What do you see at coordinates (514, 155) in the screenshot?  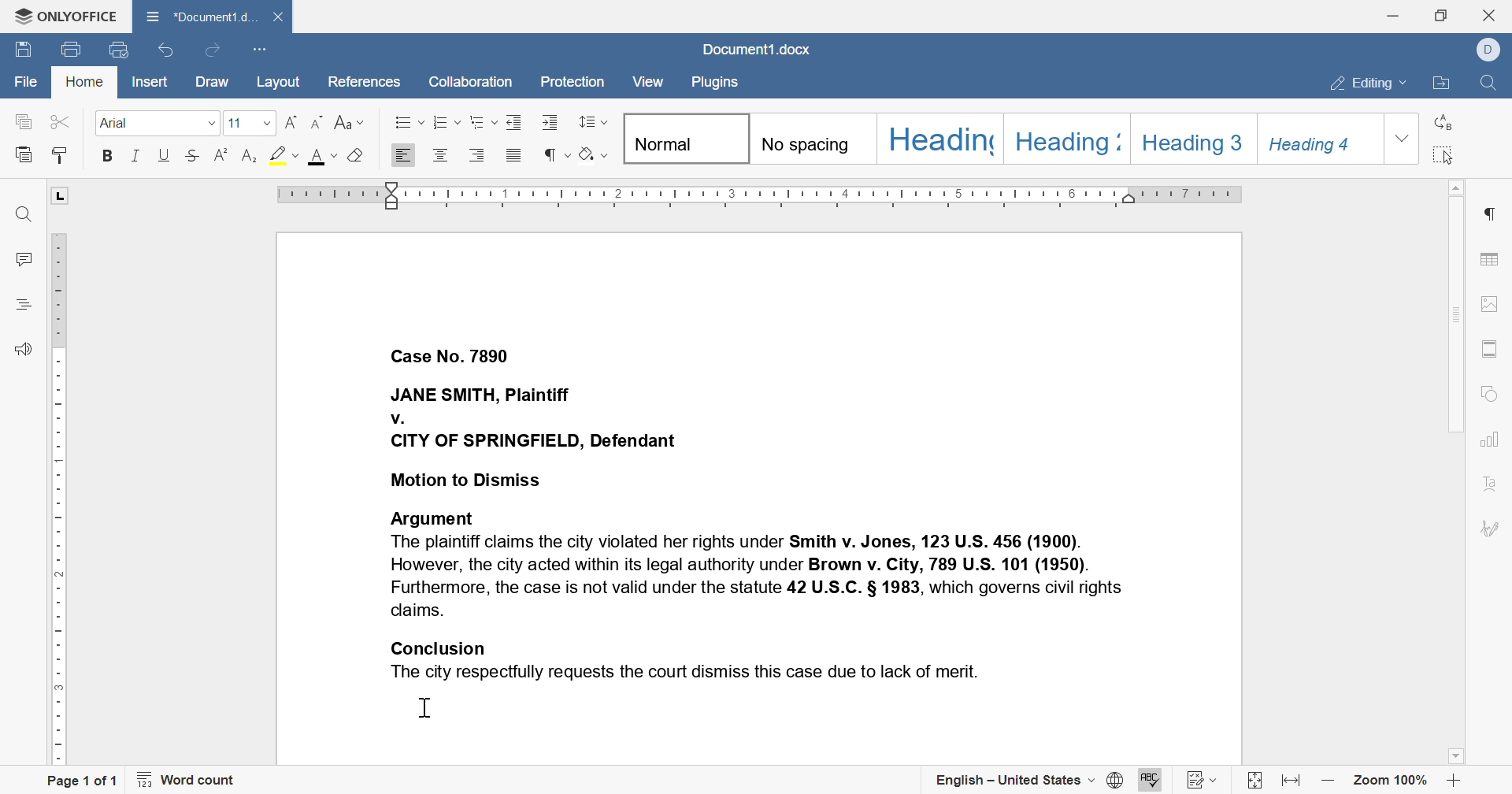 I see `justified` at bounding box center [514, 155].